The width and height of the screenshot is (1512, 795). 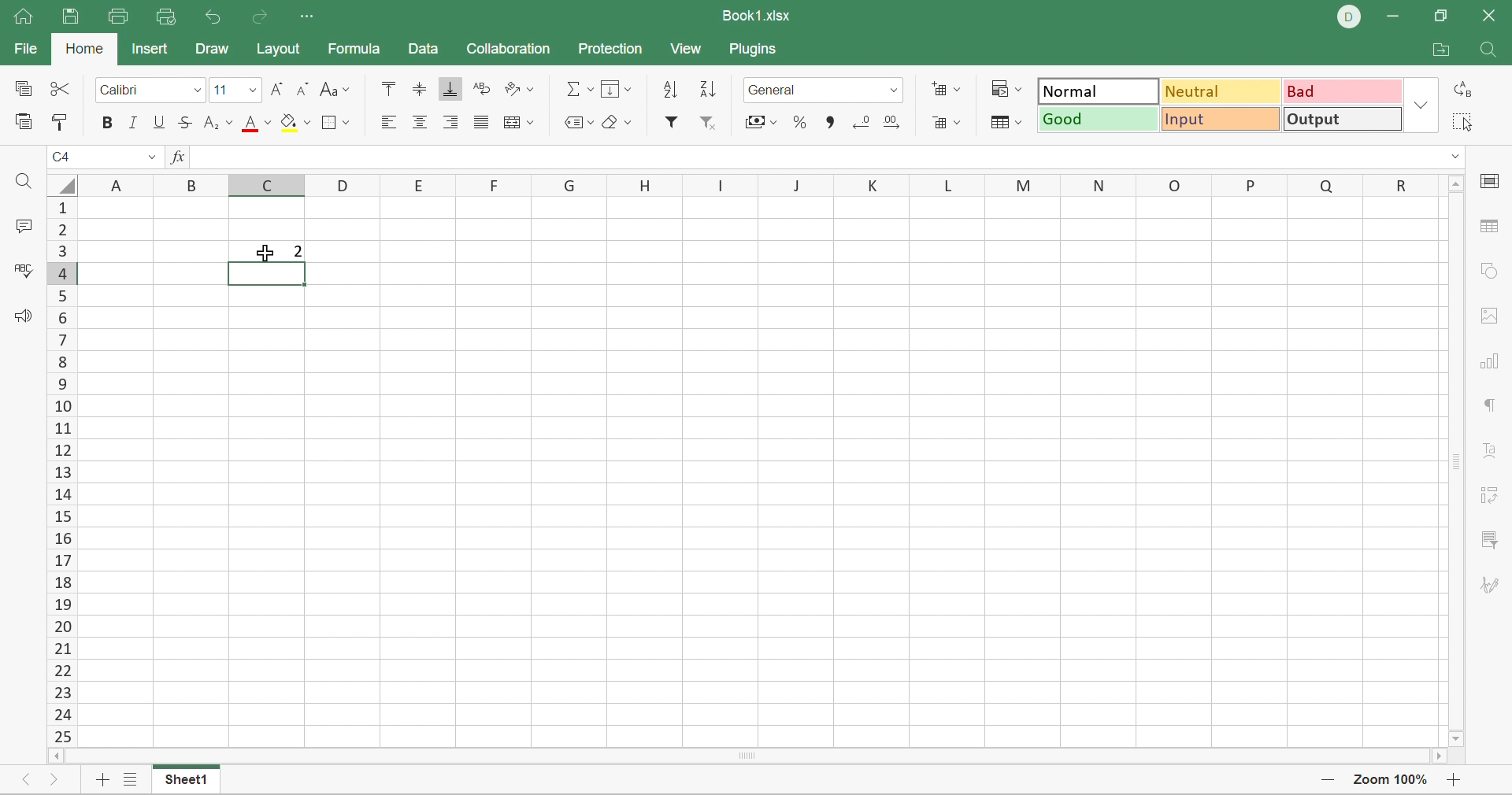 What do you see at coordinates (1490, 15) in the screenshot?
I see `Close` at bounding box center [1490, 15].